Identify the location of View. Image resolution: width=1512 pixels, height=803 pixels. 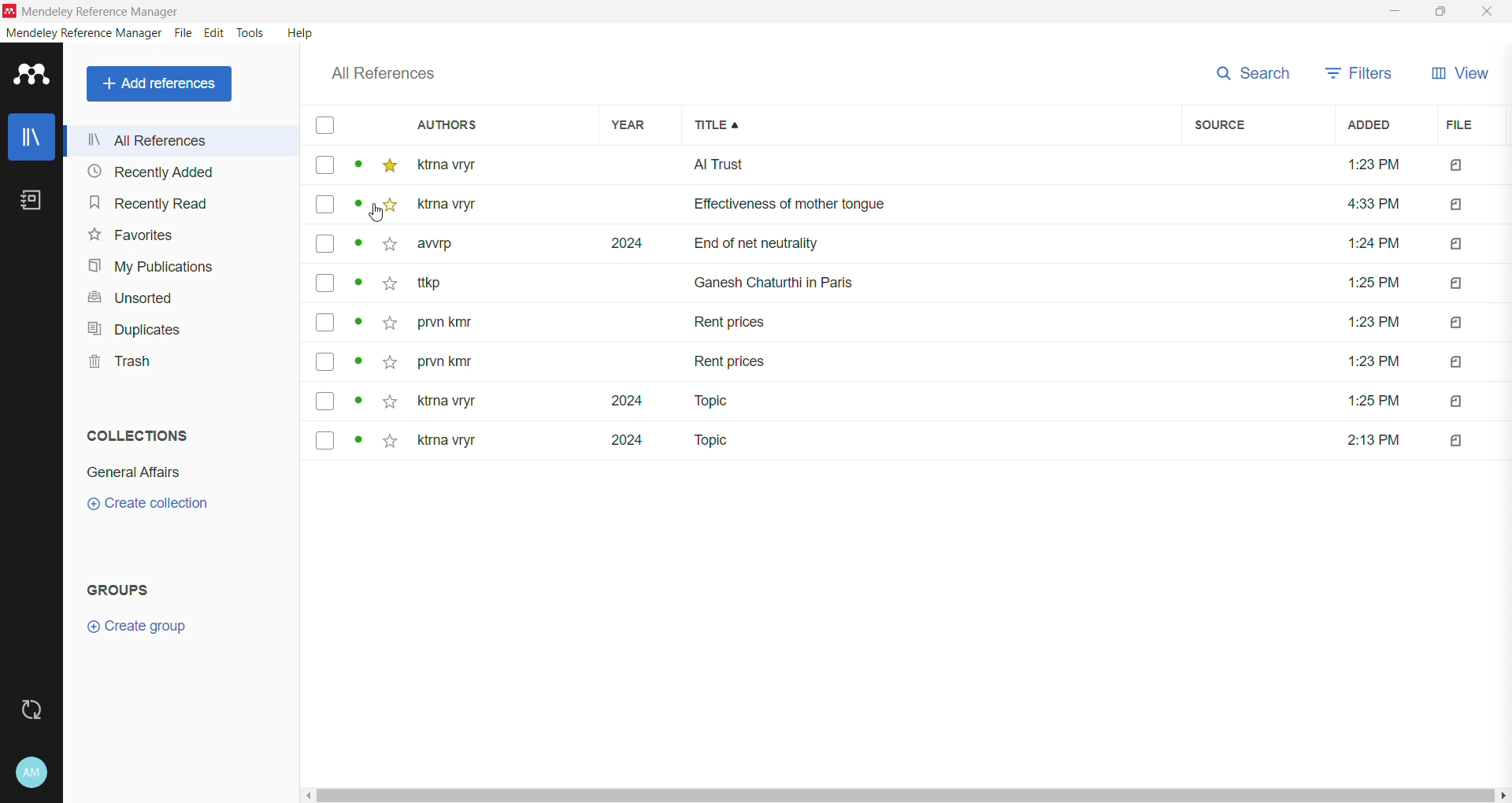
(1458, 75).